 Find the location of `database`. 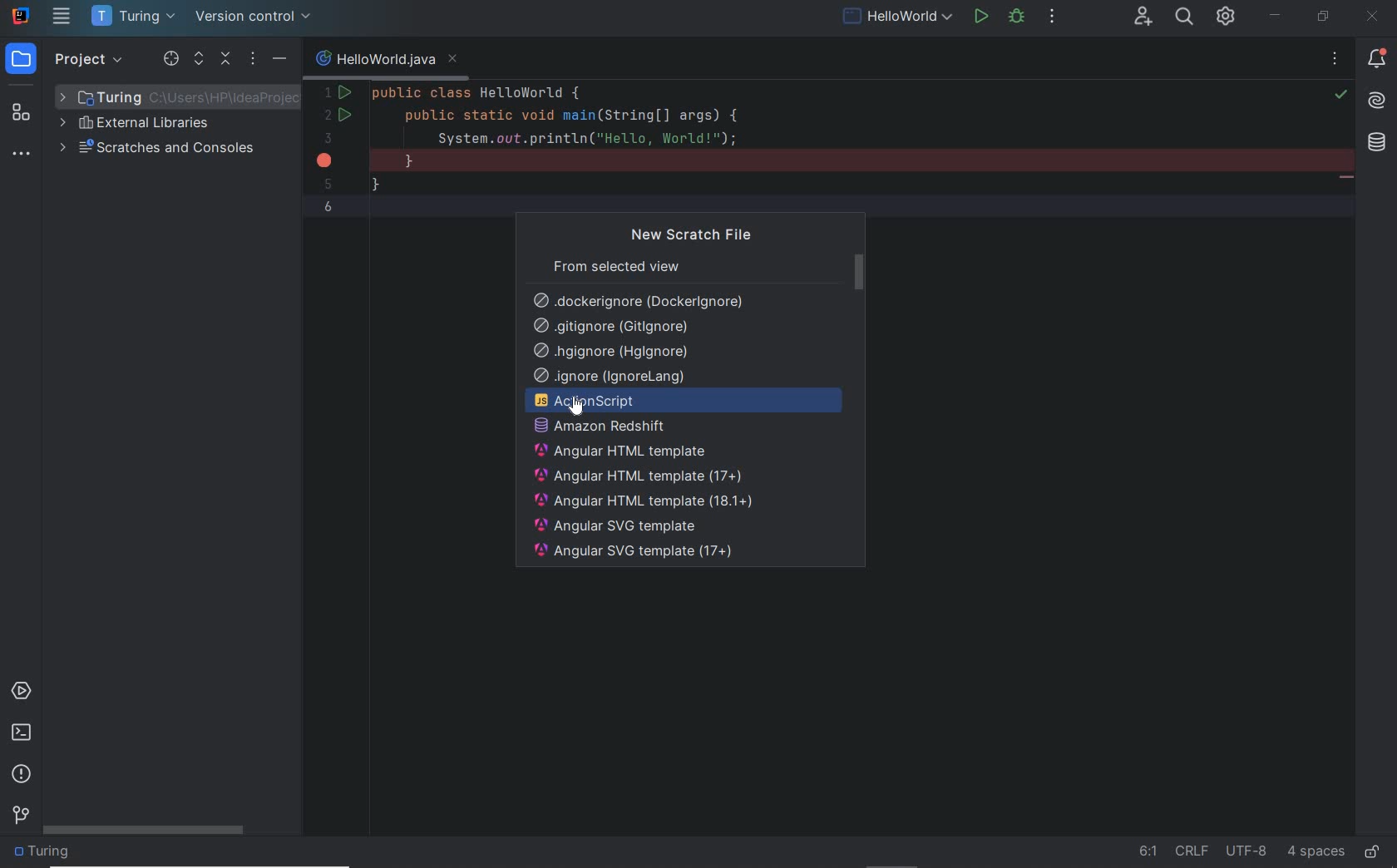

database is located at coordinates (1380, 144).